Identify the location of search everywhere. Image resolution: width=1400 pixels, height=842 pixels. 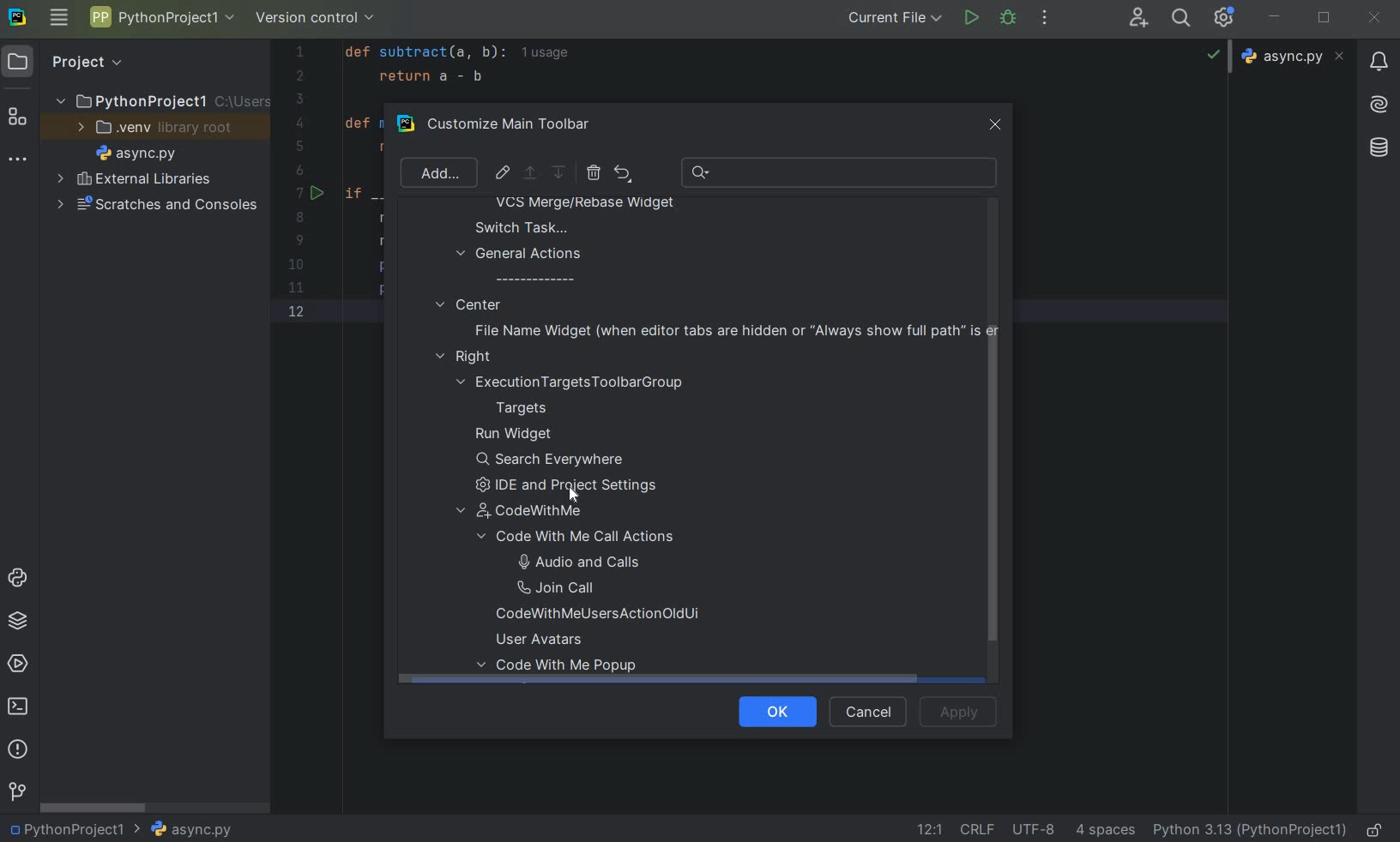
(551, 460).